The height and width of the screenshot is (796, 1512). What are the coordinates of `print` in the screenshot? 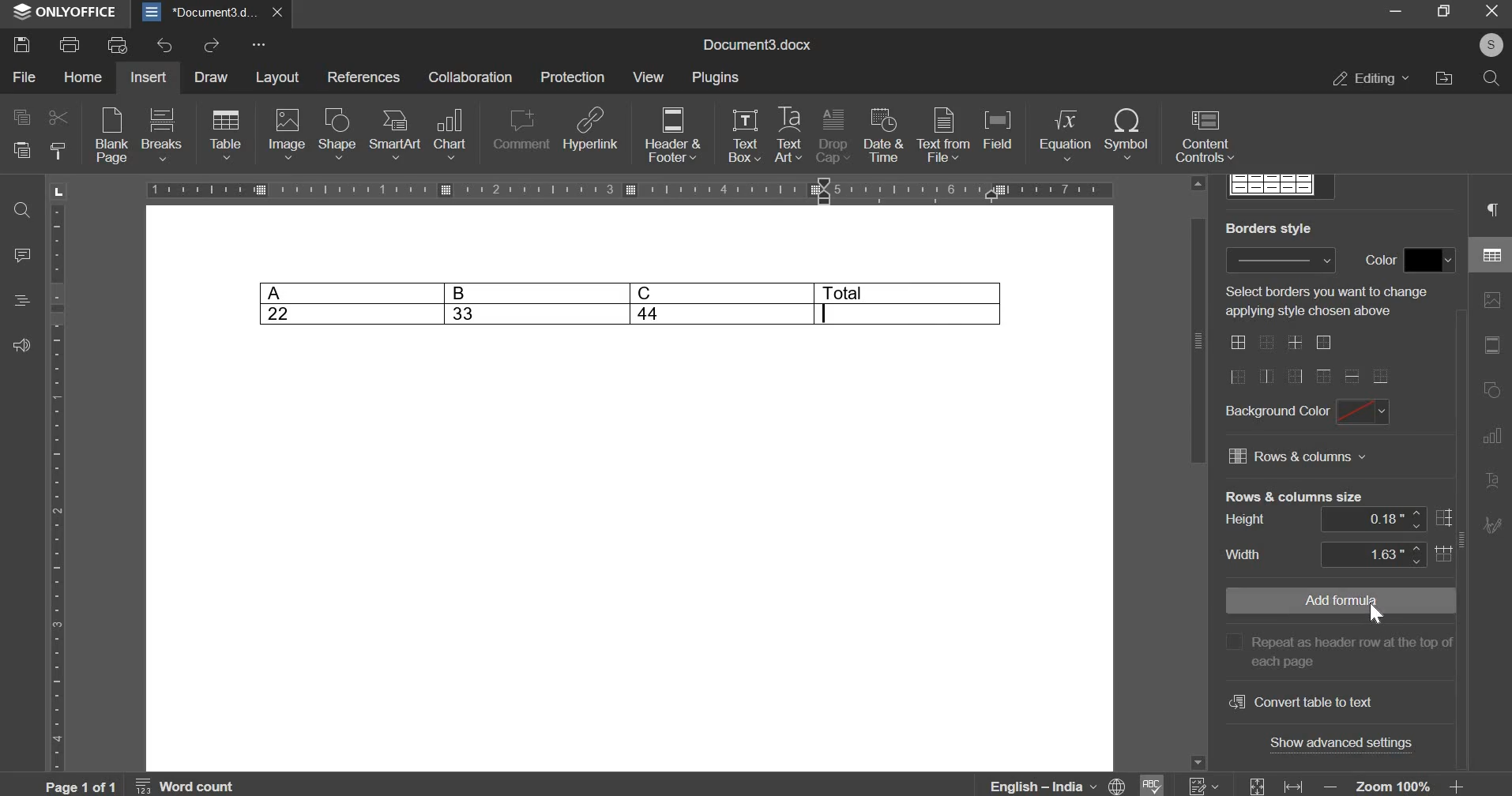 It's located at (69, 43).